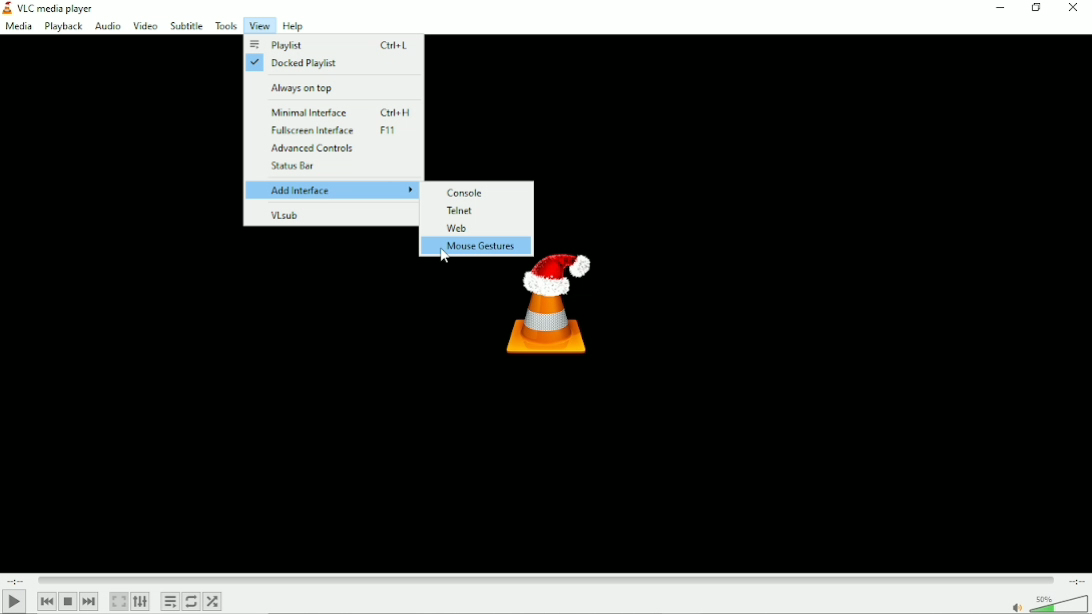  What do you see at coordinates (1075, 580) in the screenshot?
I see `Total duration` at bounding box center [1075, 580].